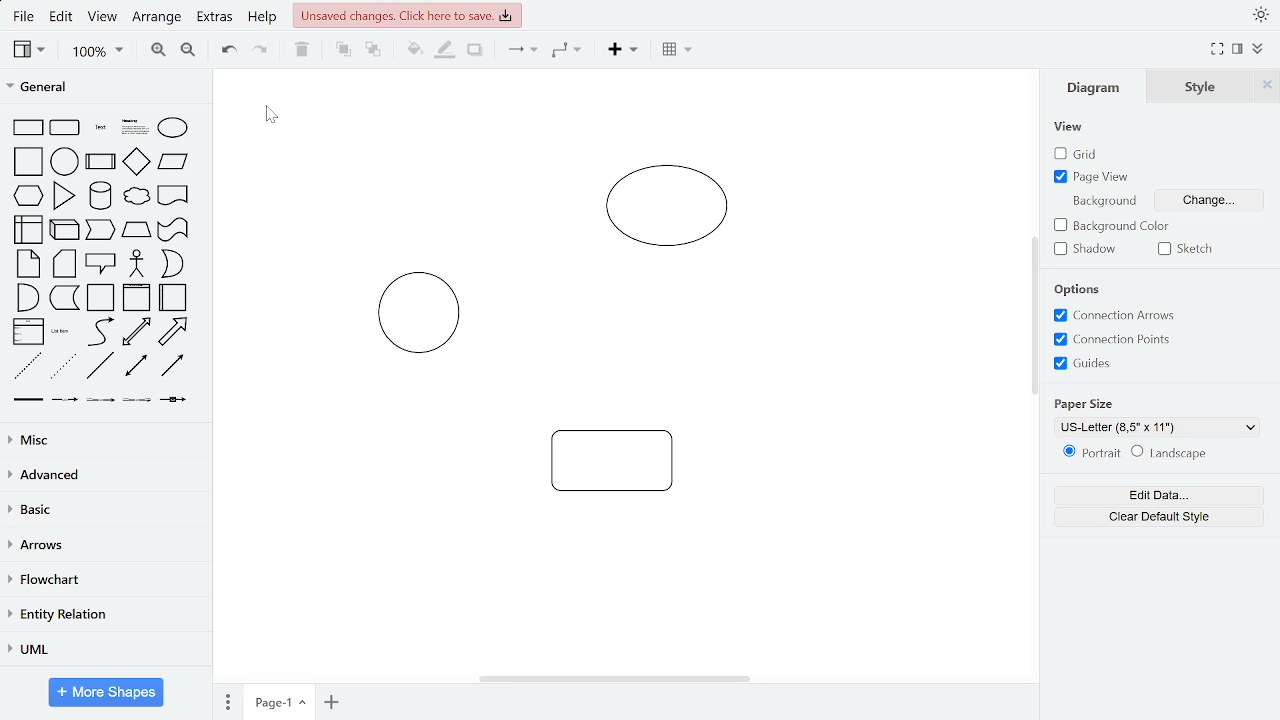 The image size is (1280, 720). Describe the element at coordinates (101, 127) in the screenshot. I see `text` at that location.